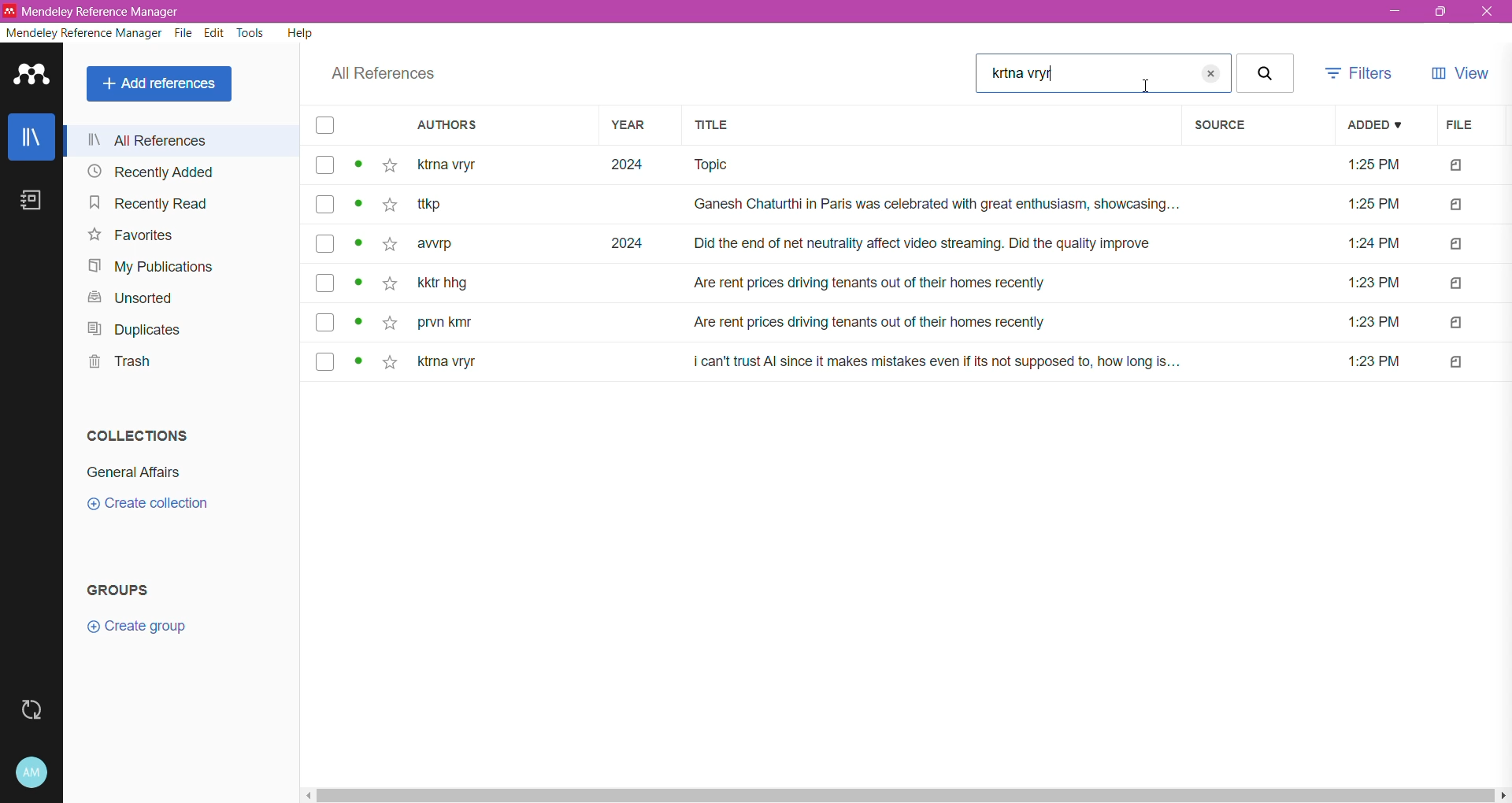 The height and width of the screenshot is (803, 1512). I want to click on  ttkp Ganesh Chaturthi in Paris was celebrated with great enthusiasm, showcasing...   1:25 PM, so click(915, 206).